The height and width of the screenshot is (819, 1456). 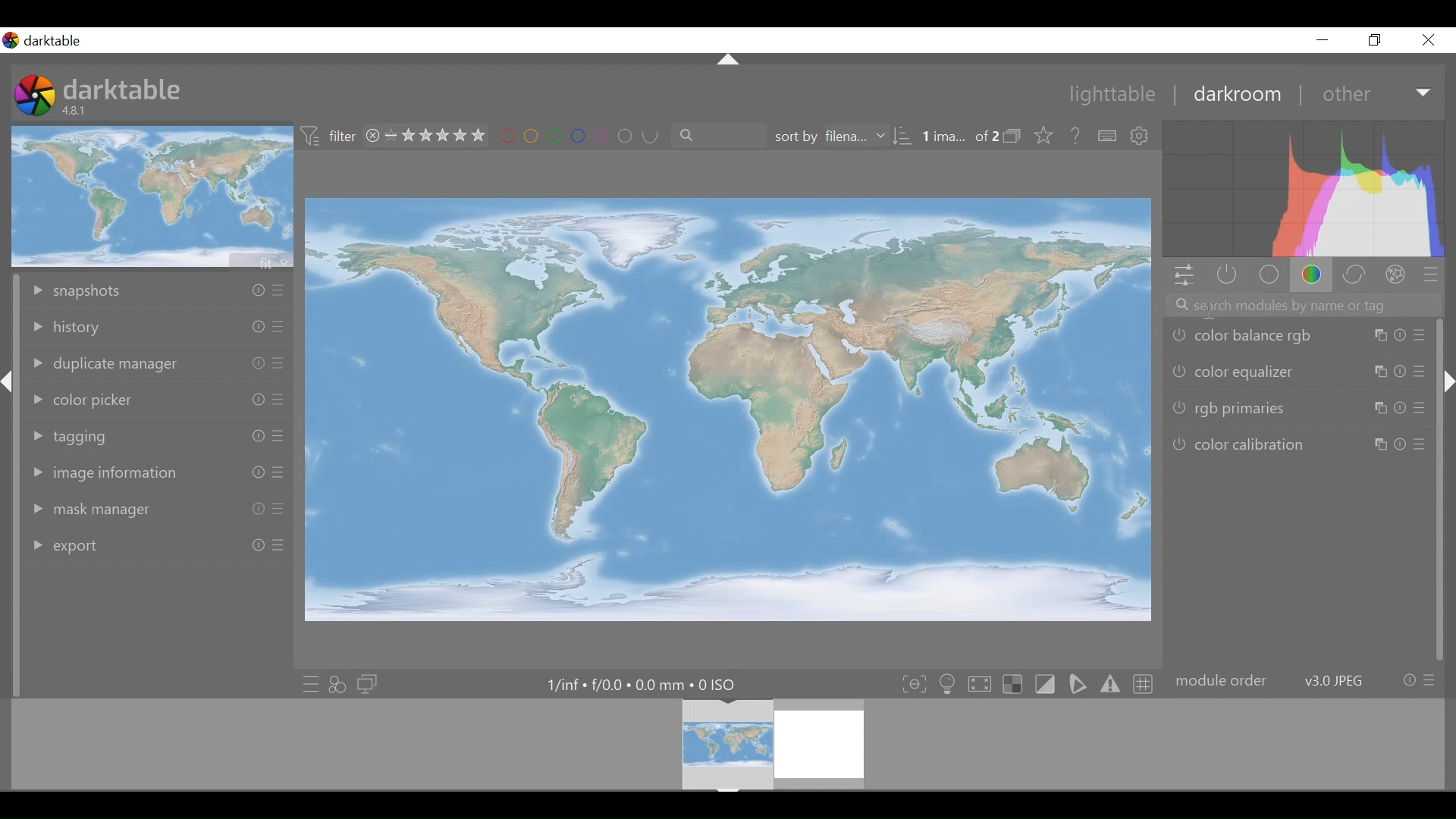 I want to click on hide, so click(x=9, y=384).